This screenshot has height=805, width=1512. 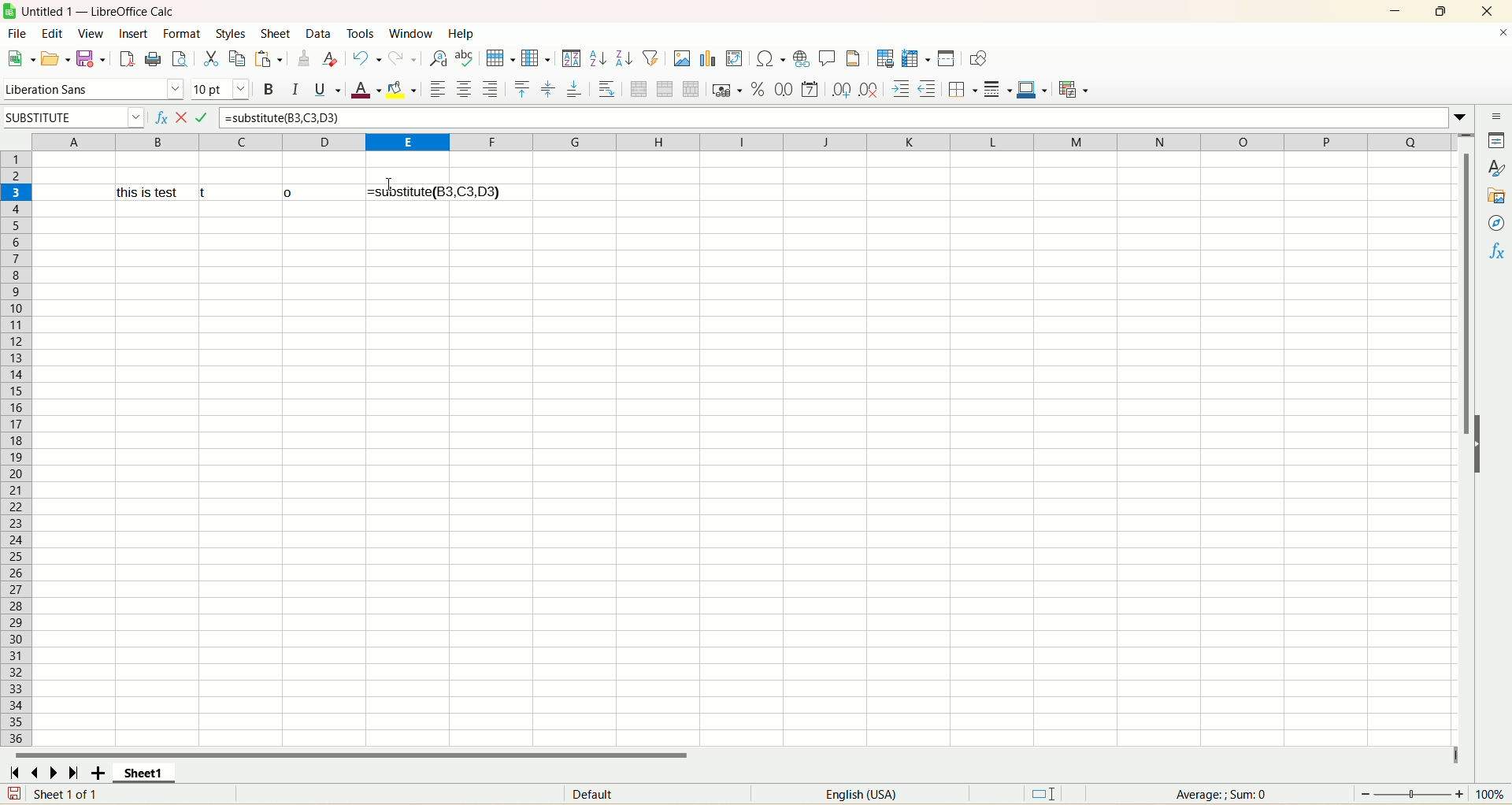 I want to click on average, so click(x=1218, y=794).